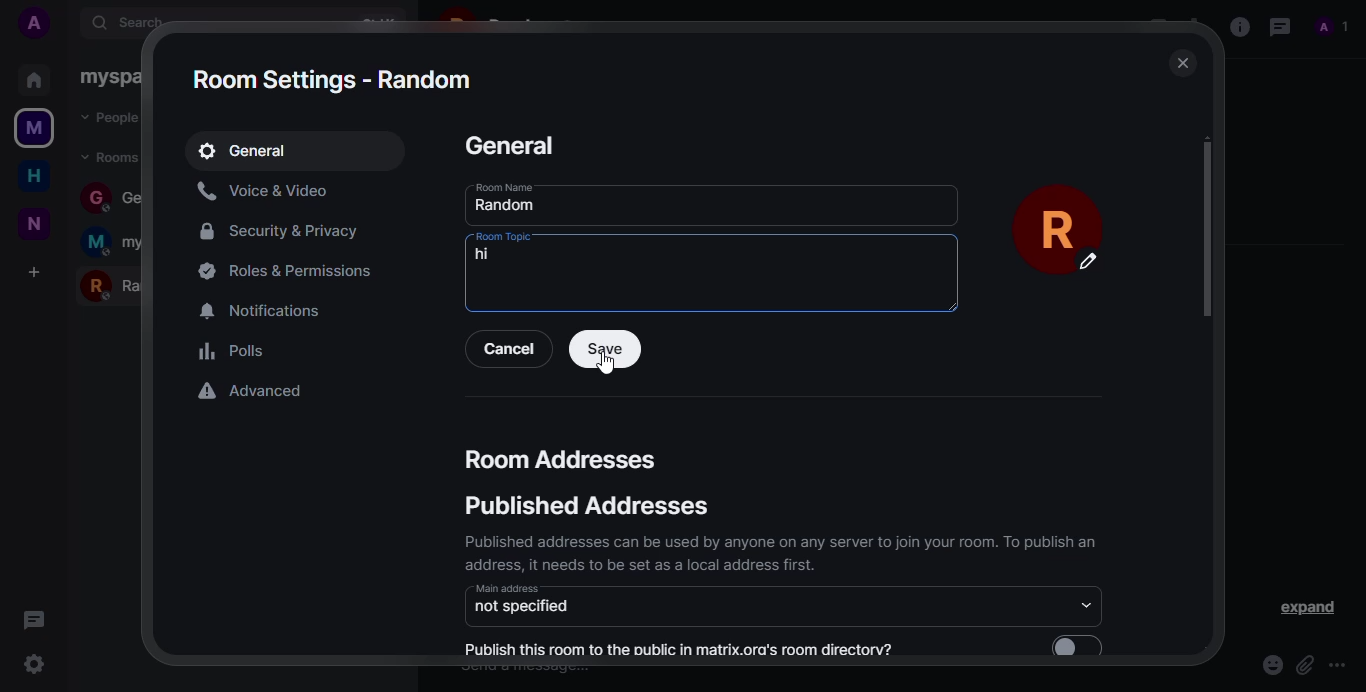 The height and width of the screenshot is (692, 1366). Describe the element at coordinates (1240, 27) in the screenshot. I see `info` at that location.